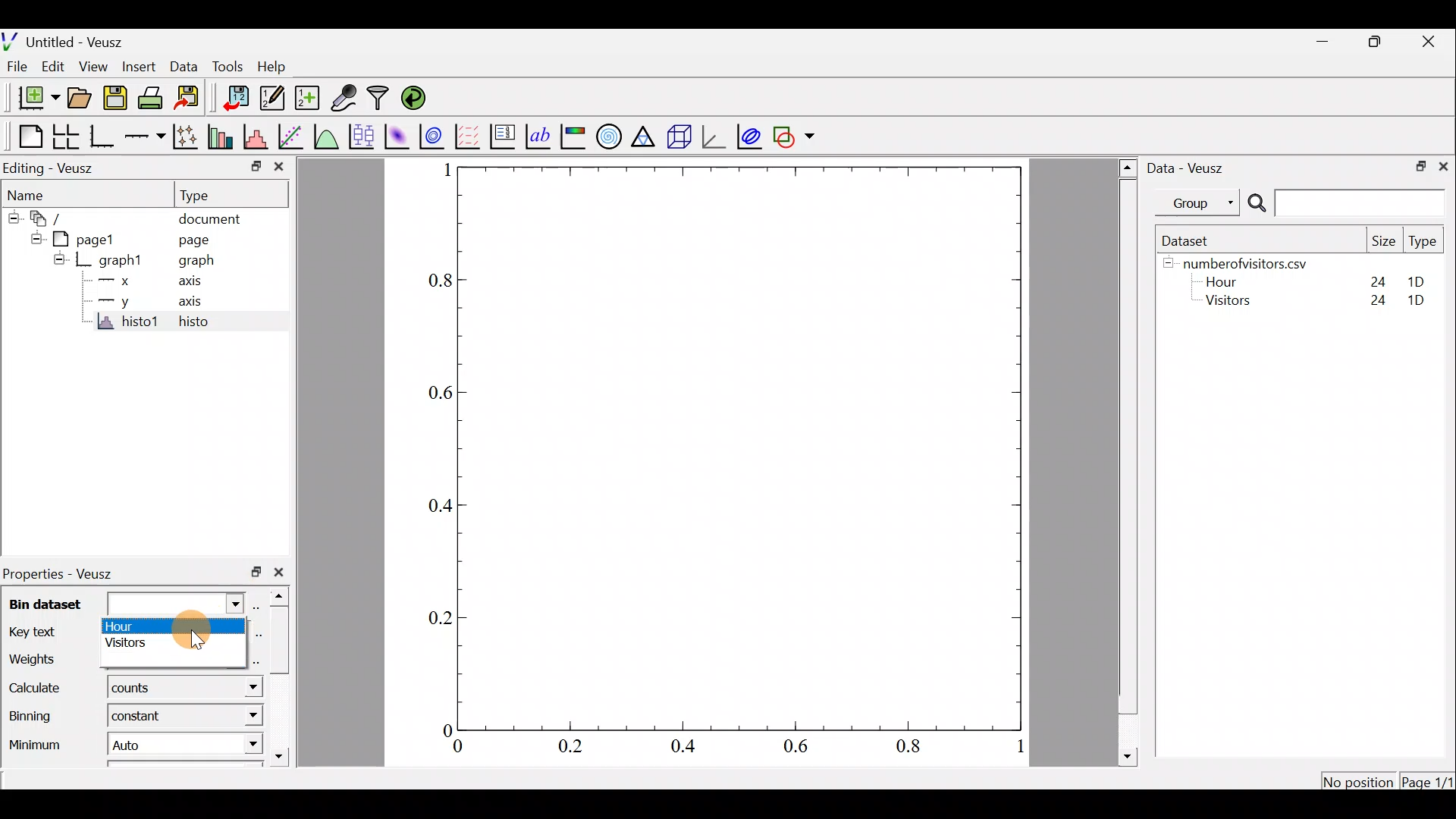 The image size is (1456, 819). I want to click on 0.2, so click(573, 745).